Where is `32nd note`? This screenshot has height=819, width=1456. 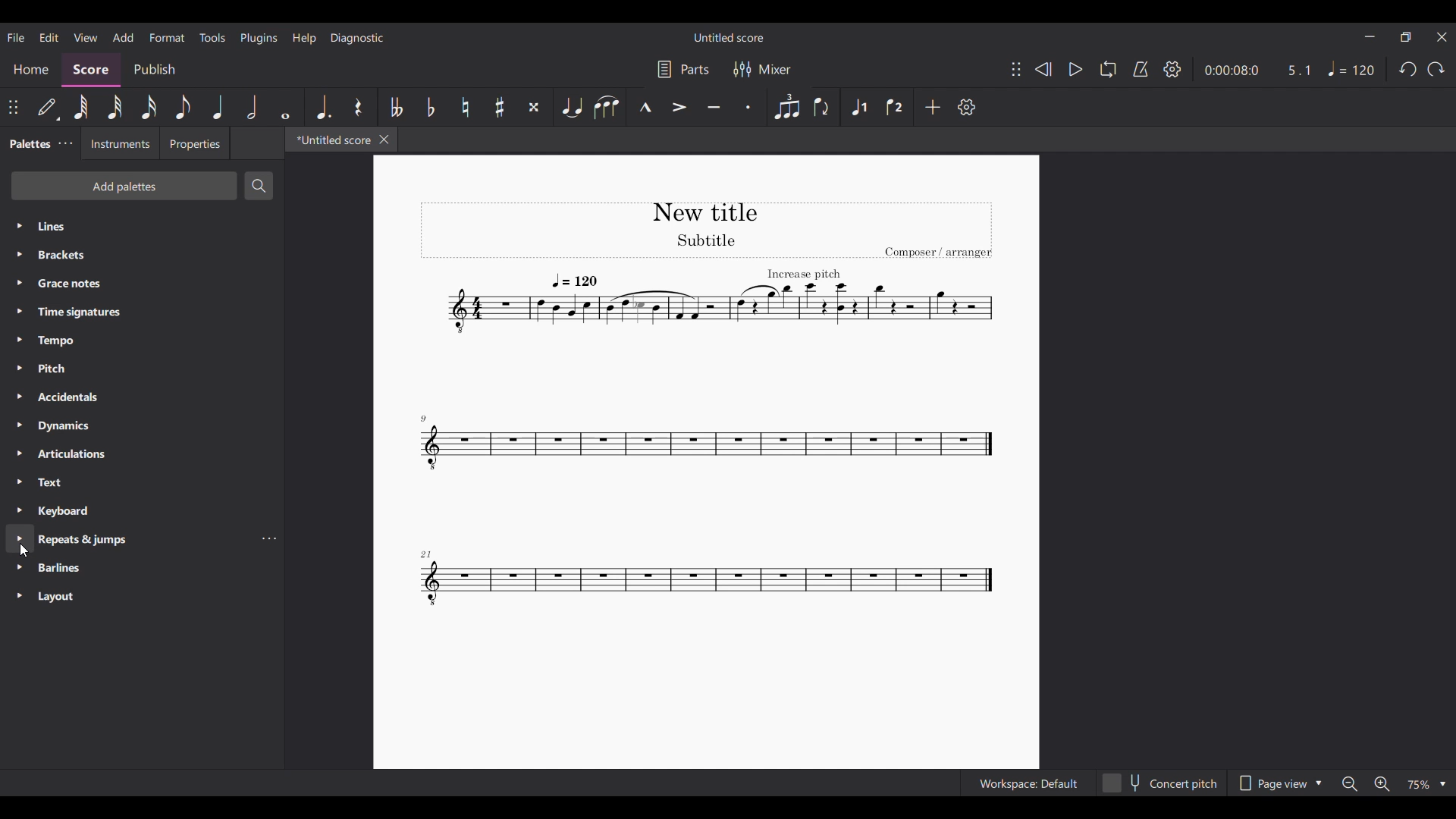
32nd note is located at coordinates (115, 107).